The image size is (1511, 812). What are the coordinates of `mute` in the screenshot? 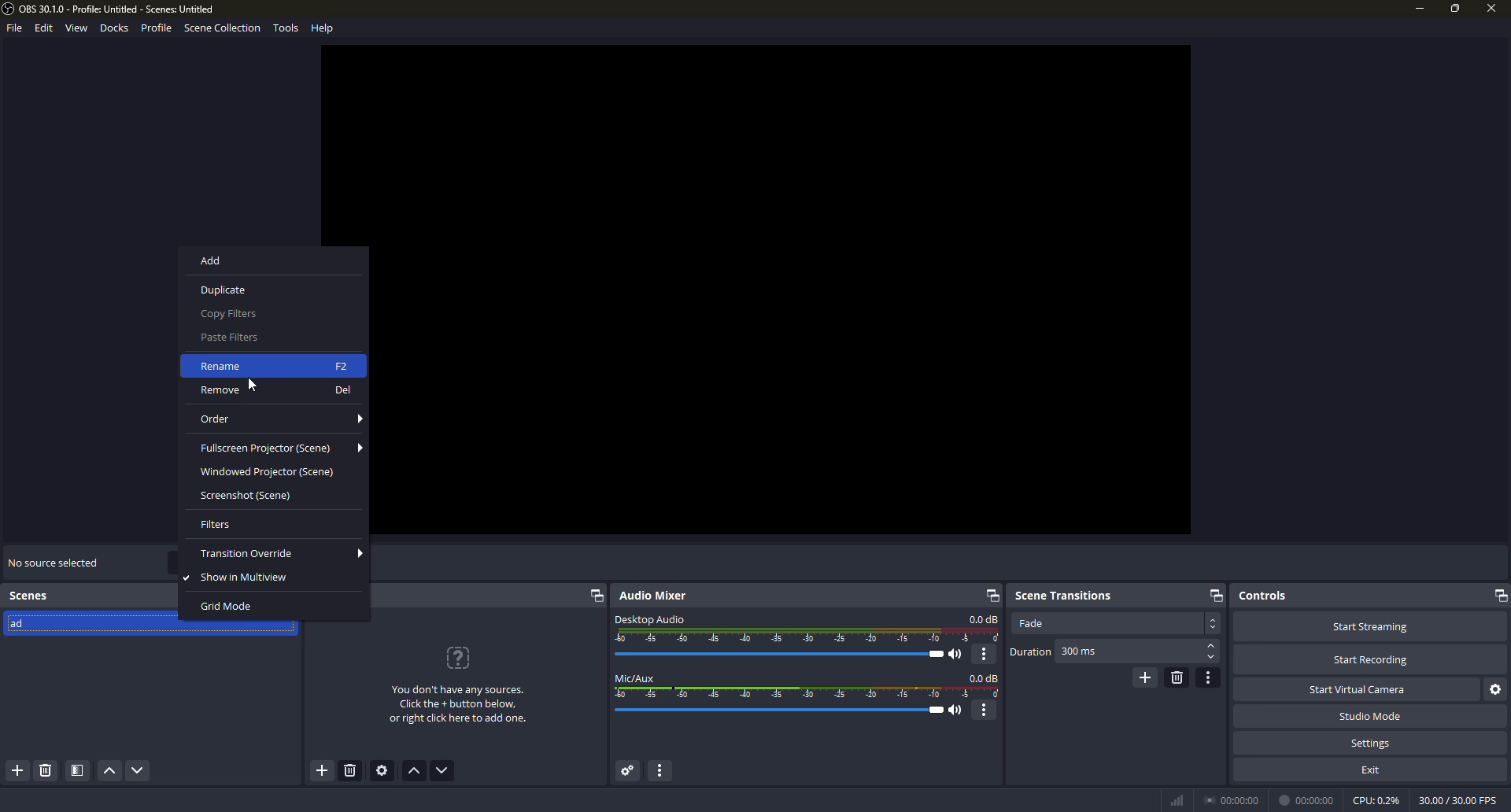 It's located at (958, 710).